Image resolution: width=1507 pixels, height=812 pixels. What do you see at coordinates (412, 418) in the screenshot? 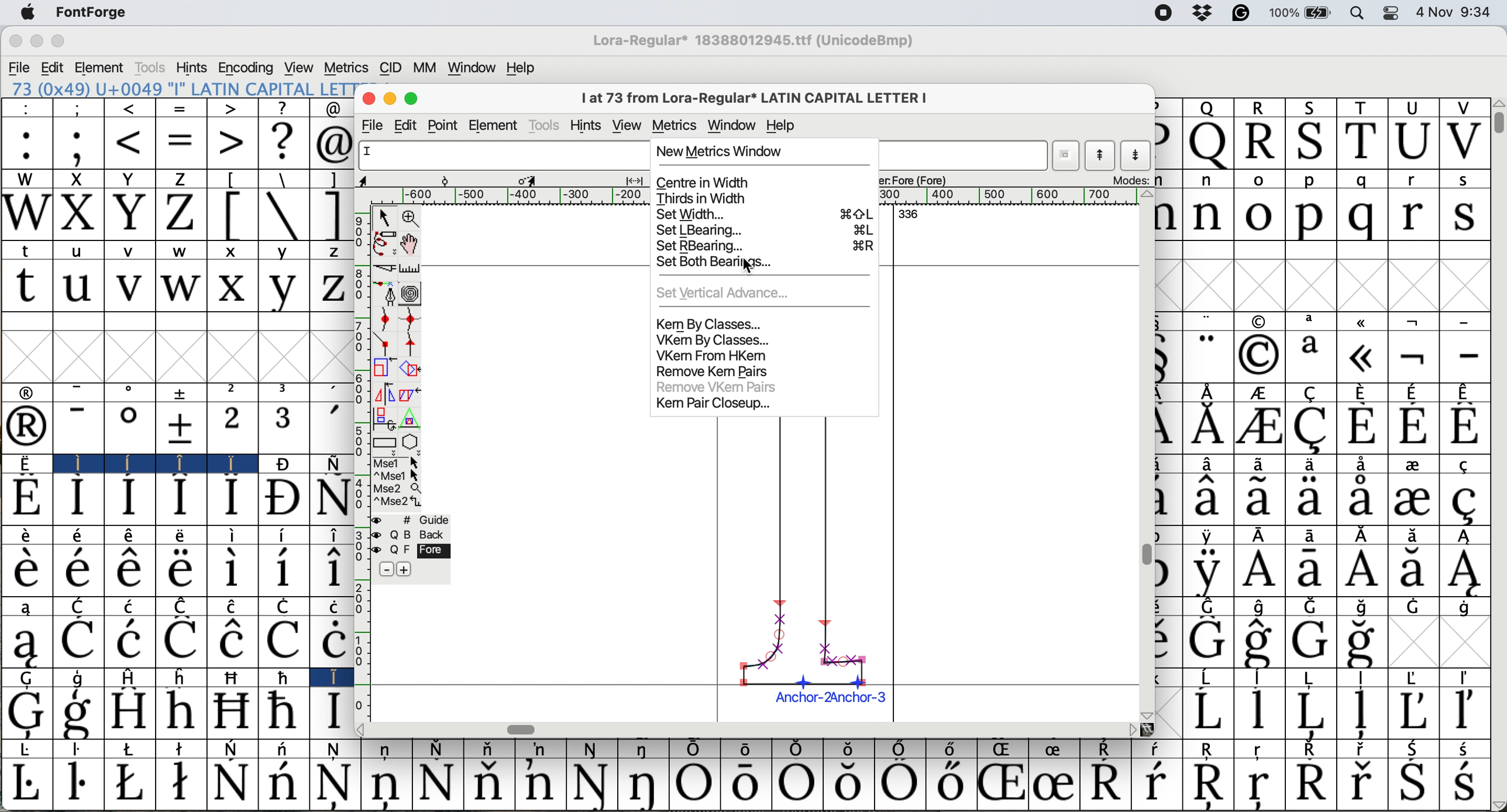
I see `perform a perspective transformation on the selection` at bounding box center [412, 418].